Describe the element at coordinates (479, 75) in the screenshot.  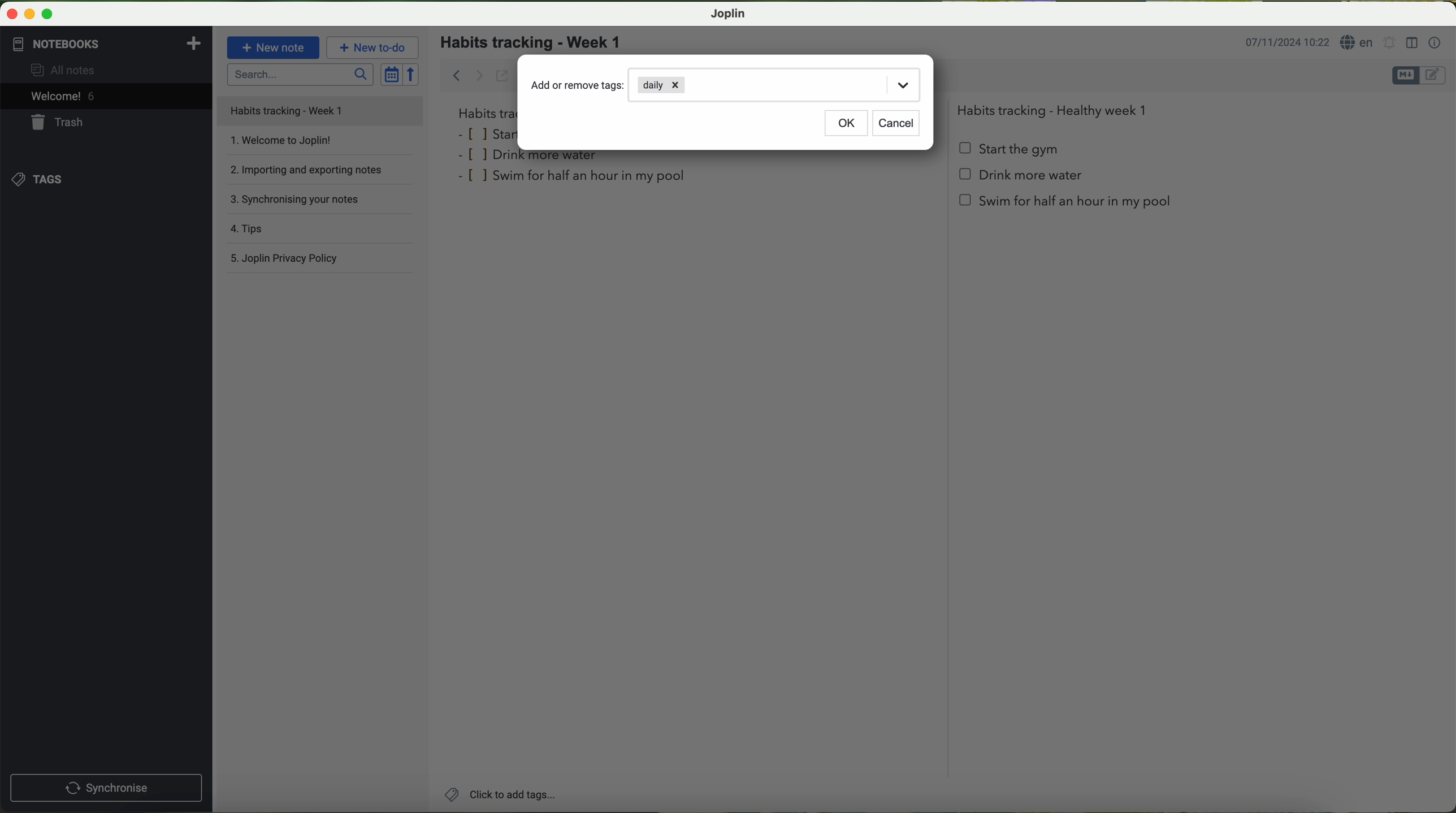
I see `forward` at that location.